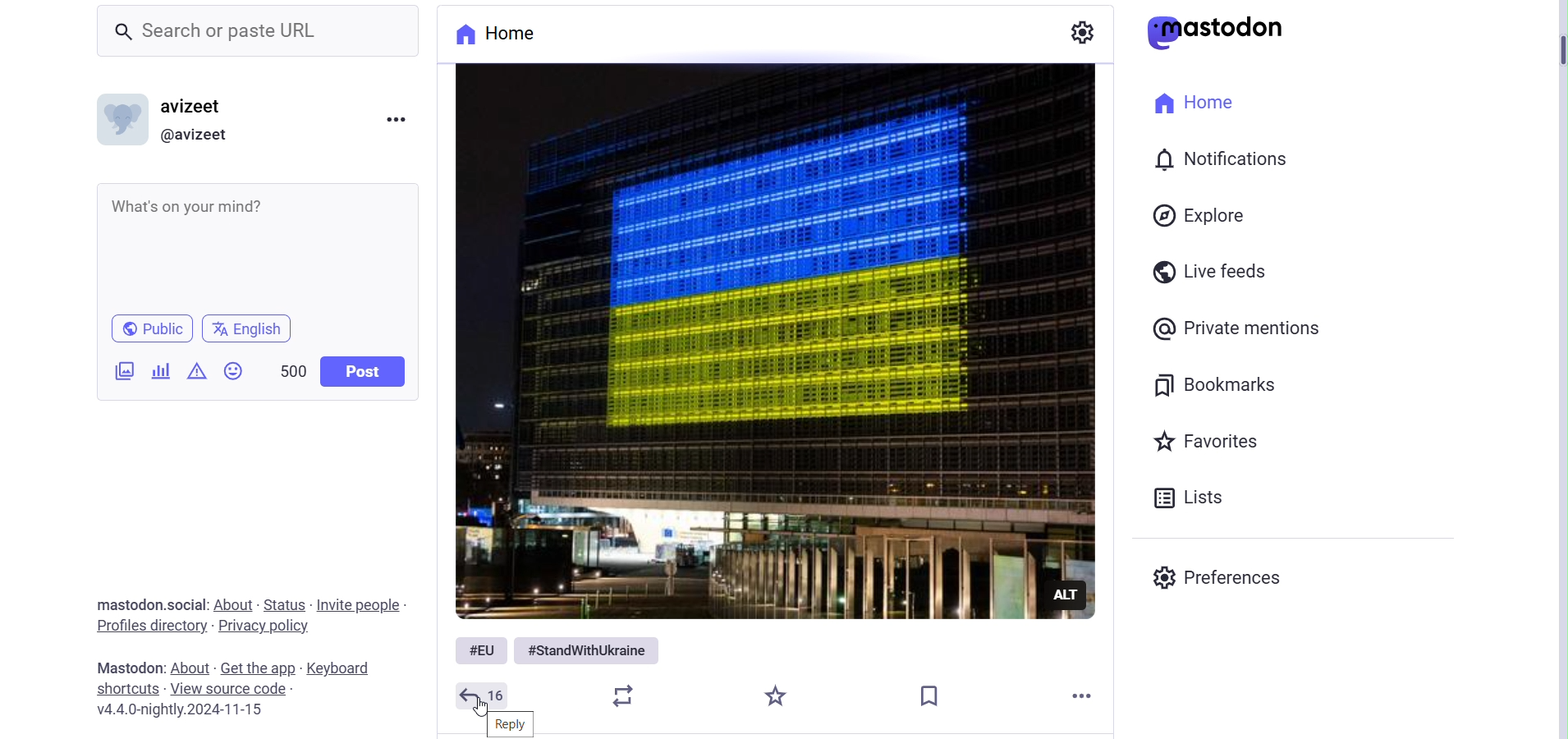 The image size is (1568, 739). Describe the element at coordinates (510, 723) in the screenshot. I see `Reply` at that location.